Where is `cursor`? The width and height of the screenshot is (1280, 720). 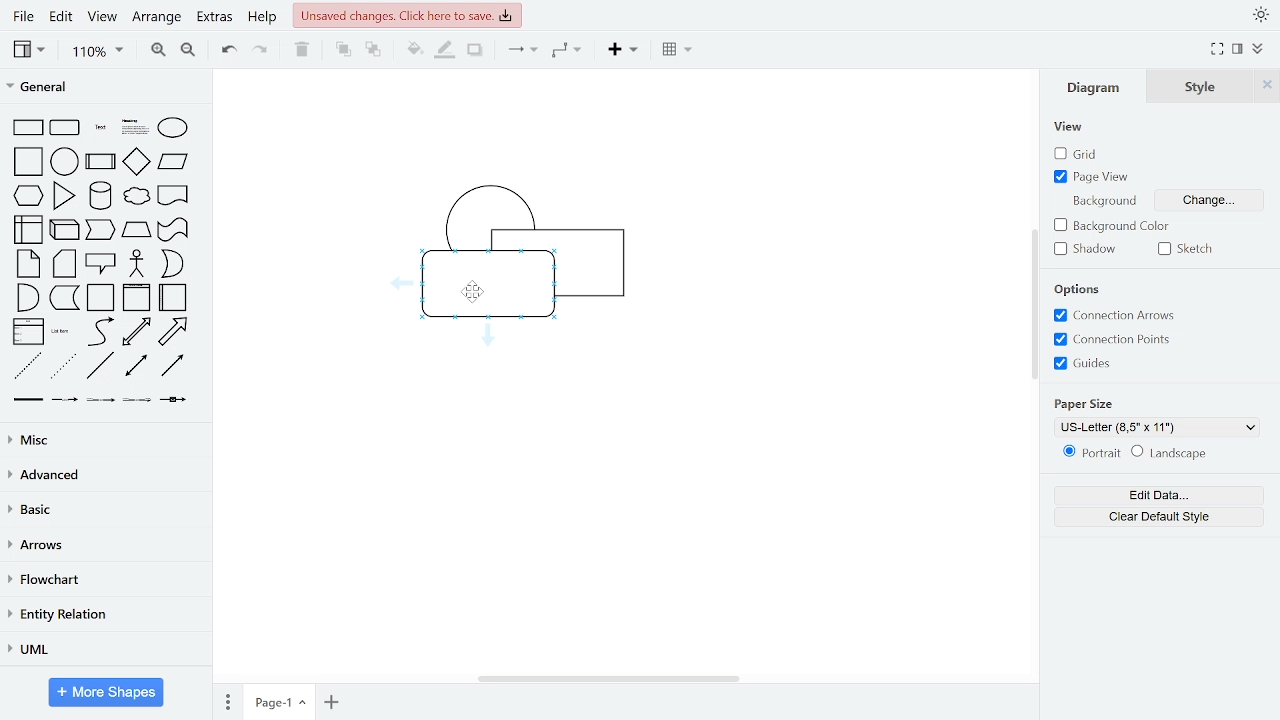
cursor is located at coordinates (474, 294).